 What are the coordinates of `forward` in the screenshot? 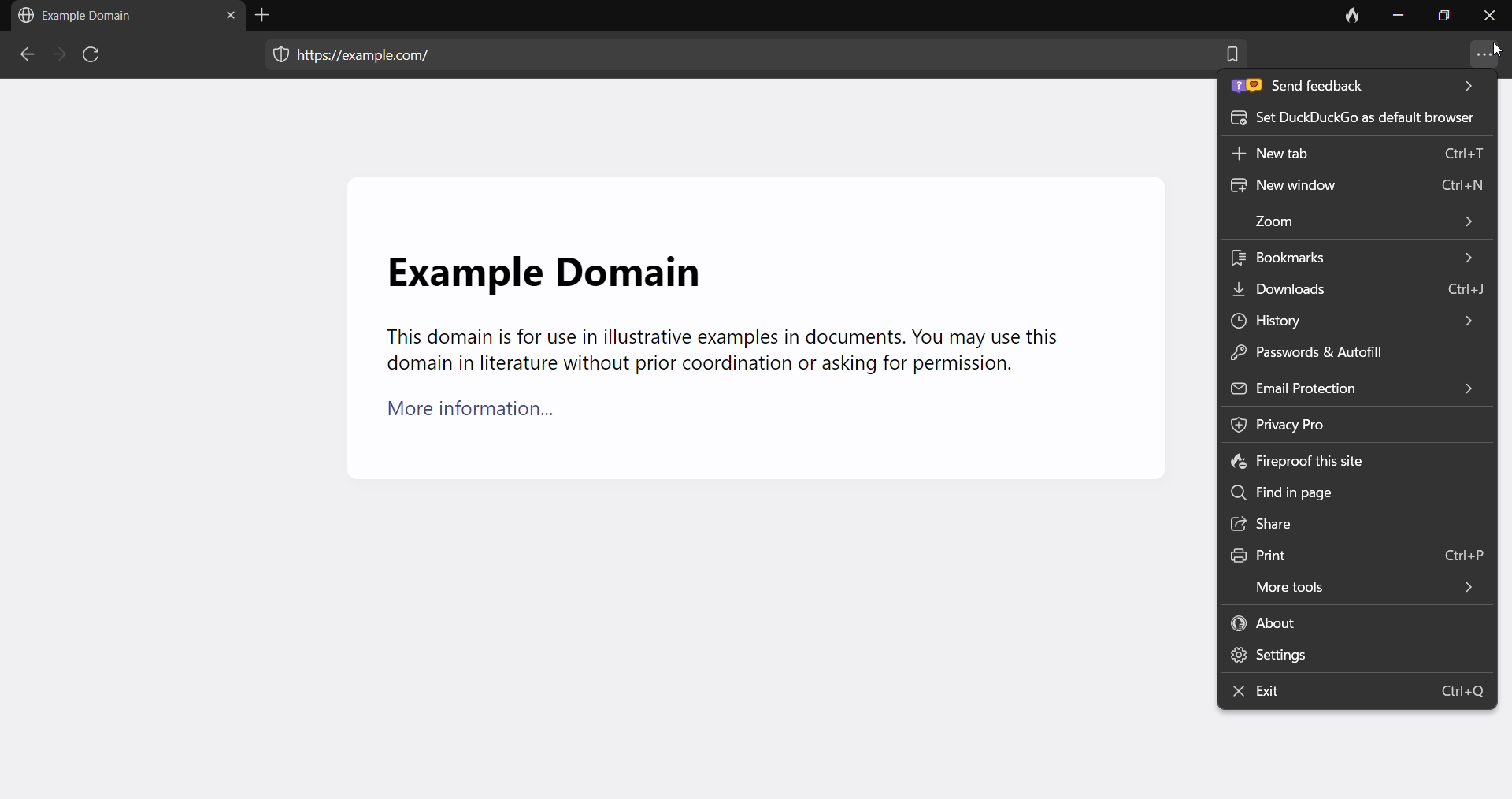 It's located at (56, 55).